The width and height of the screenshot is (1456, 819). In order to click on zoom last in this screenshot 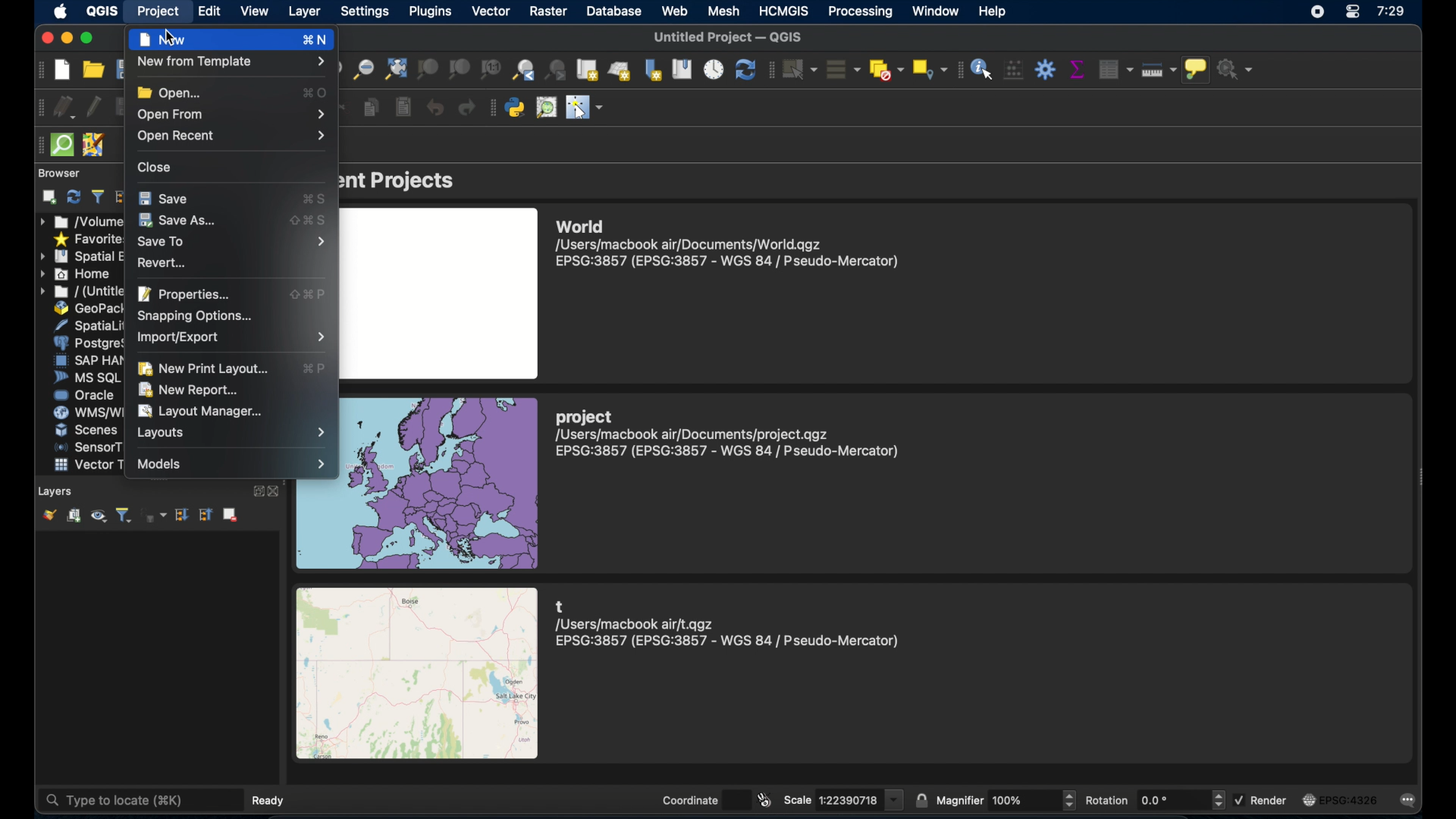, I will do `click(557, 69)`.